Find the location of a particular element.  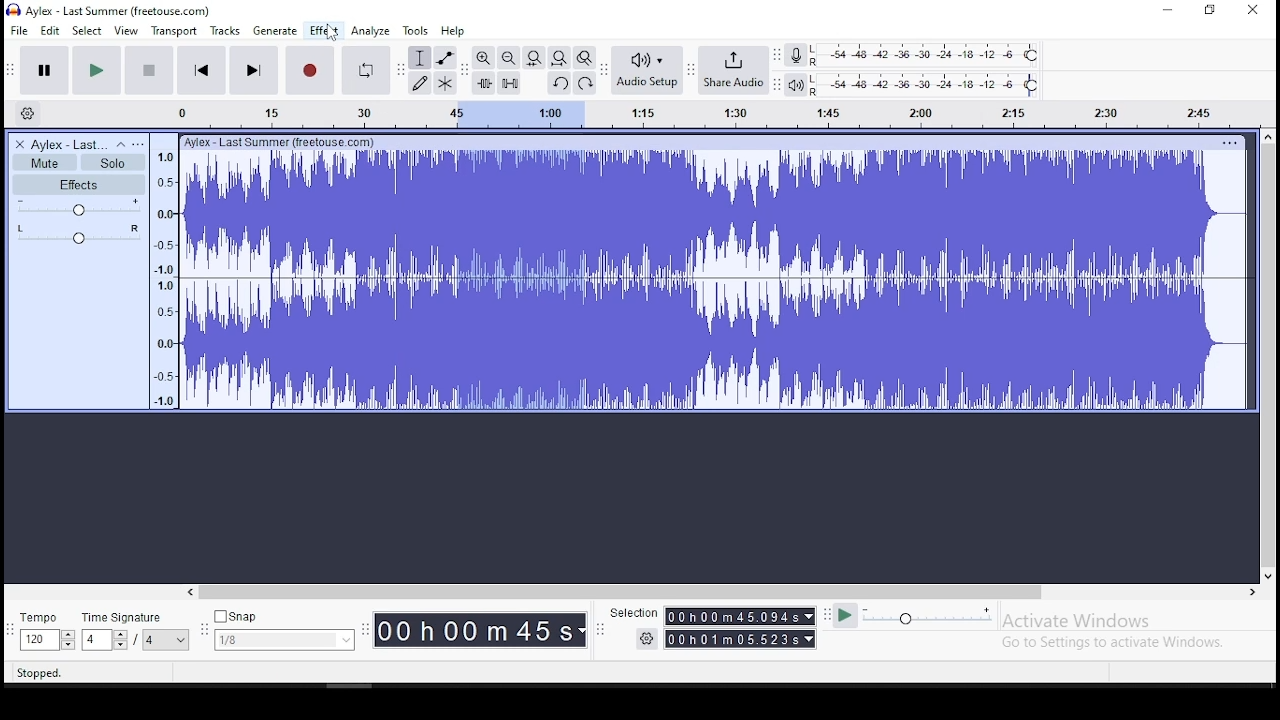

open menu is located at coordinates (139, 144).